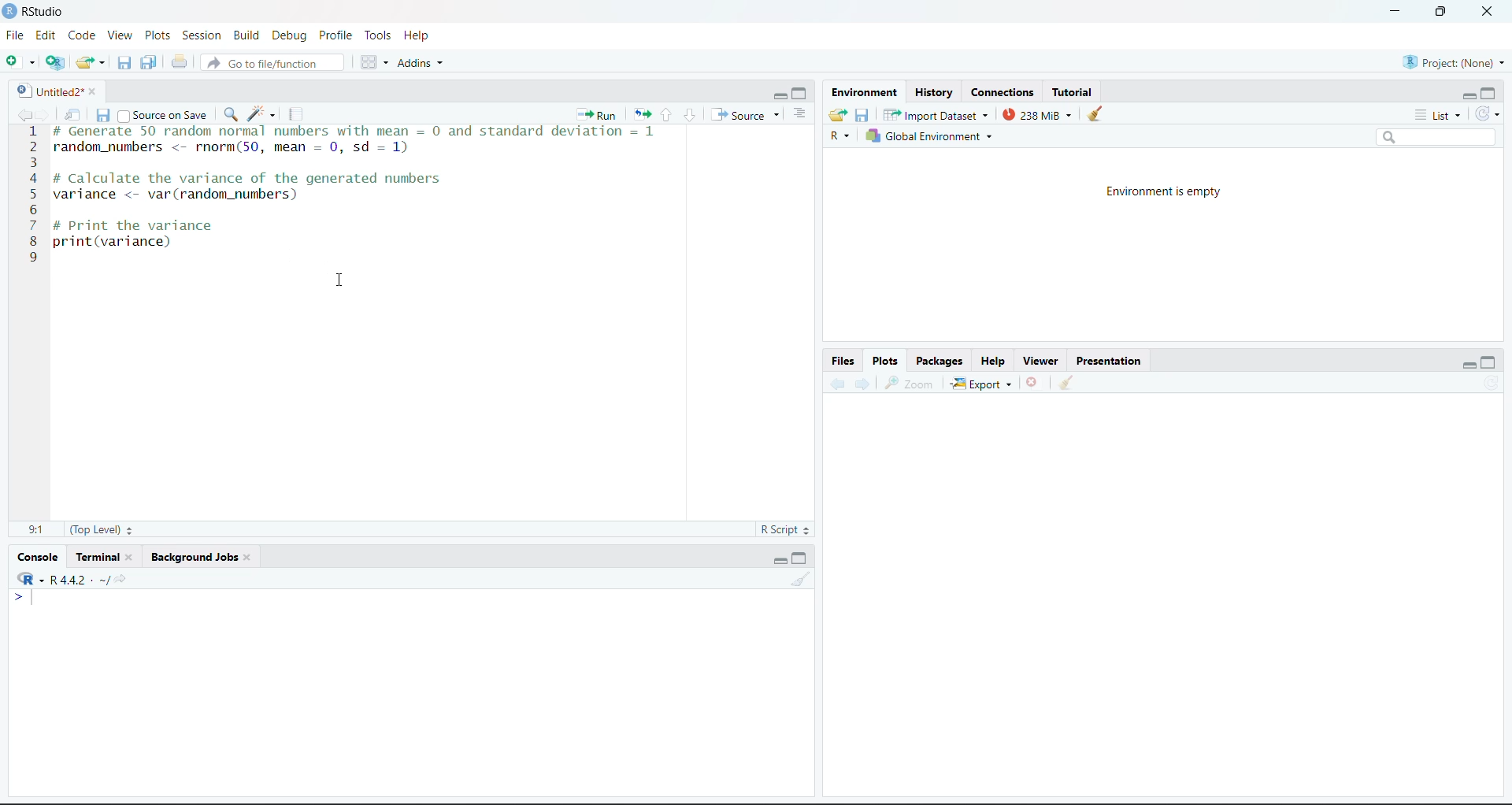  What do you see at coordinates (70, 578) in the screenshot?
I see `R 4.4.2 ~/` at bounding box center [70, 578].